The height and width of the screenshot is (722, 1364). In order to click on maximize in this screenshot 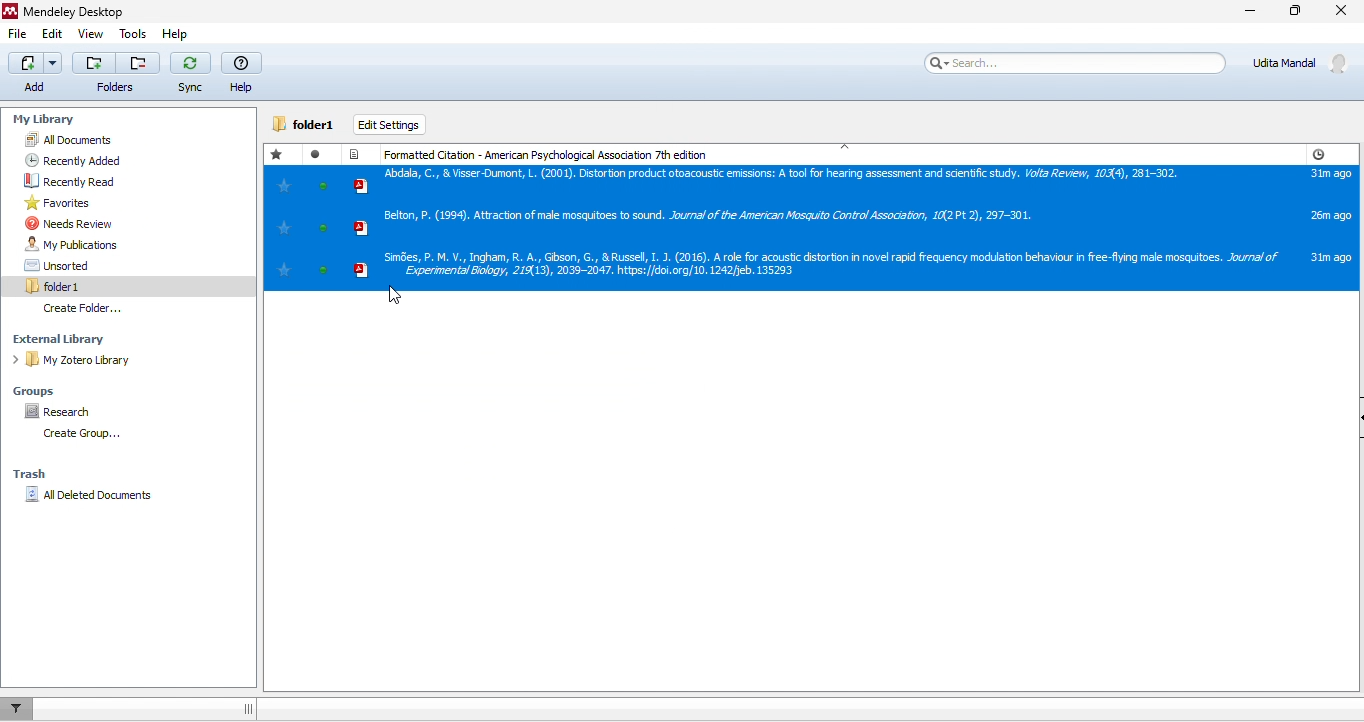, I will do `click(1295, 15)`.